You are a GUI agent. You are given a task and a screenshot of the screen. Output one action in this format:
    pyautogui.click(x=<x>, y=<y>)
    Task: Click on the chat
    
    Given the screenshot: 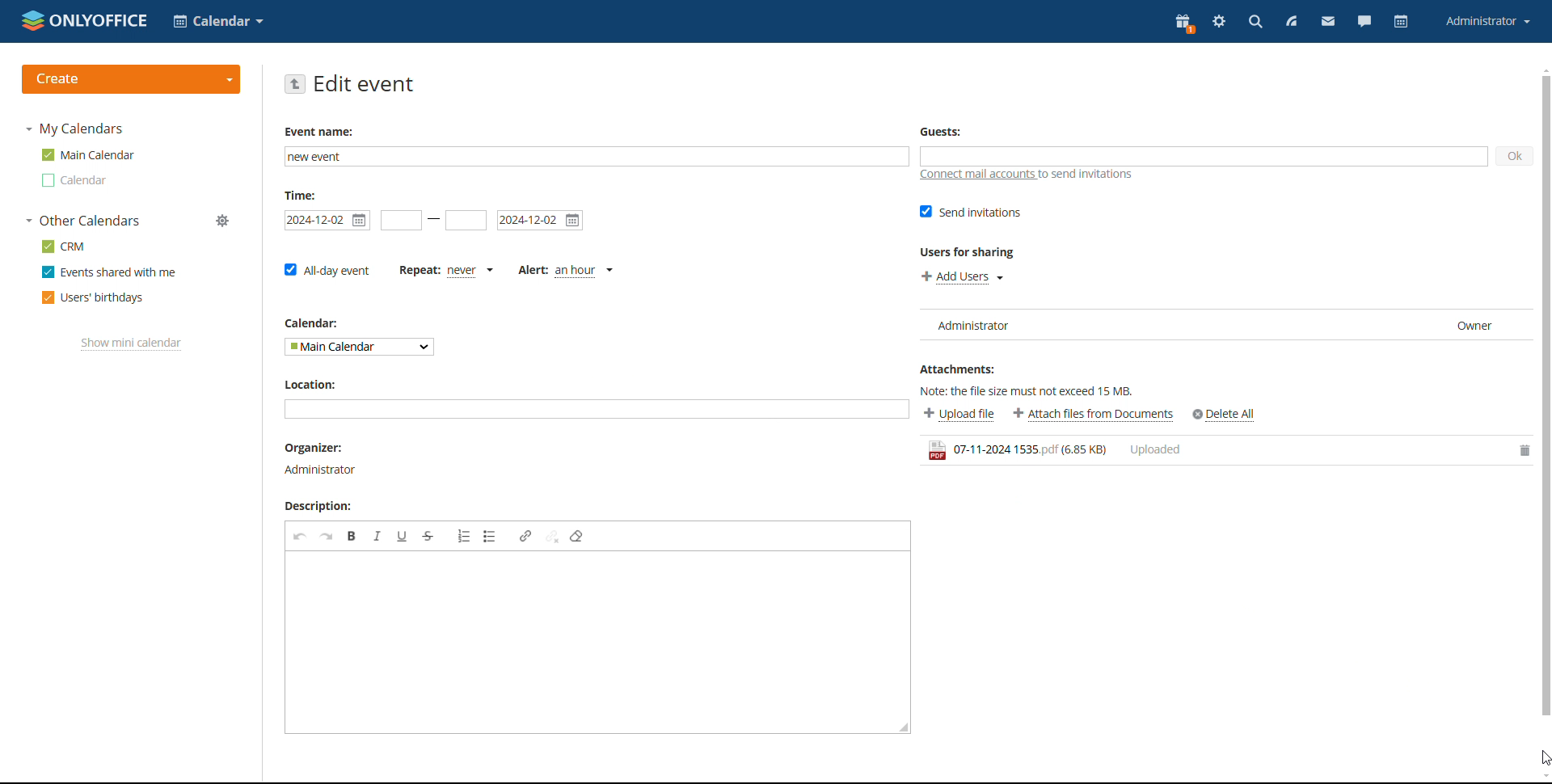 What is the action you would take?
    pyautogui.click(x=1365, y=23)
    